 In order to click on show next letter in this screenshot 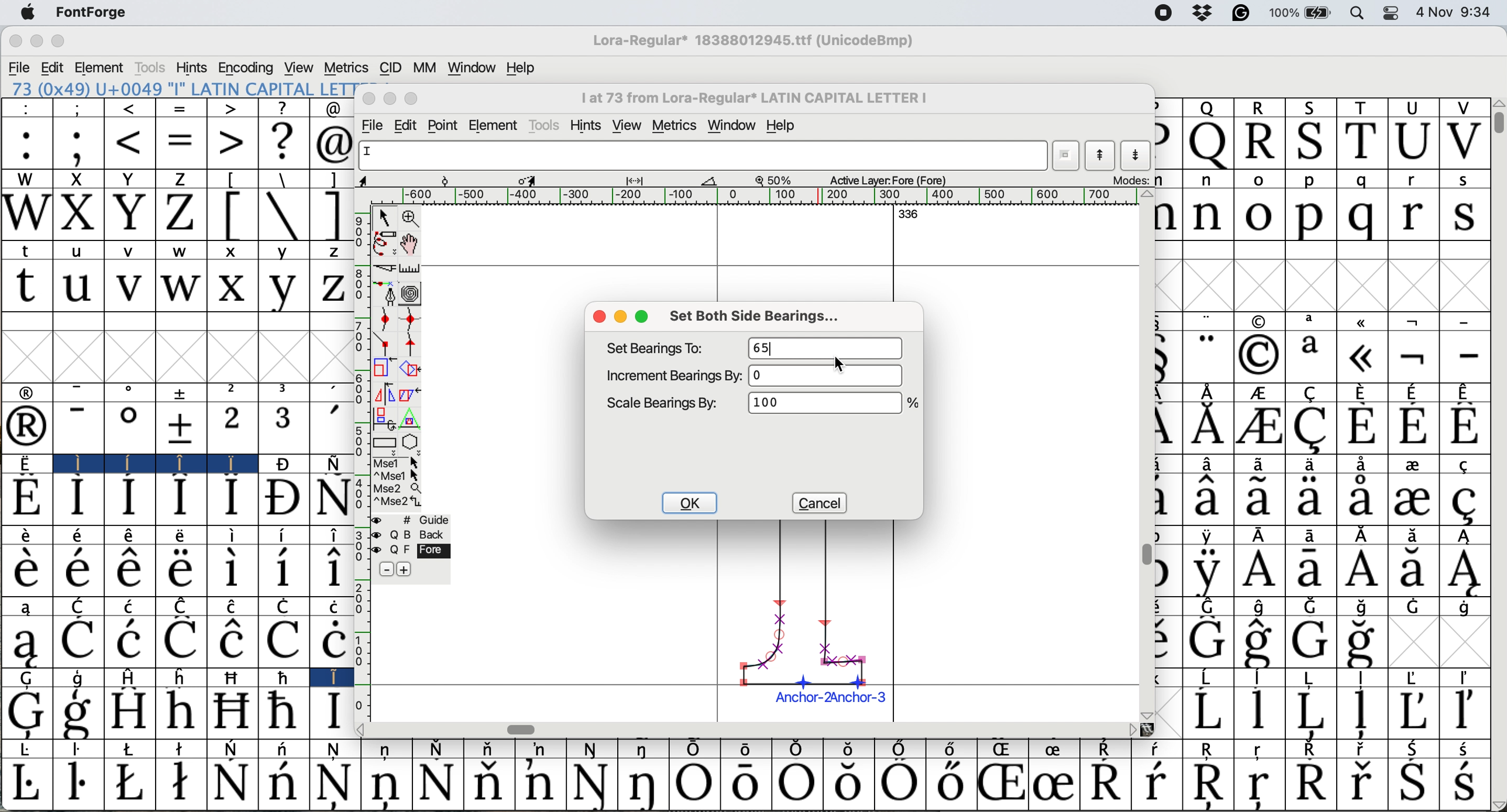, I will do `click(1138, 156)`.